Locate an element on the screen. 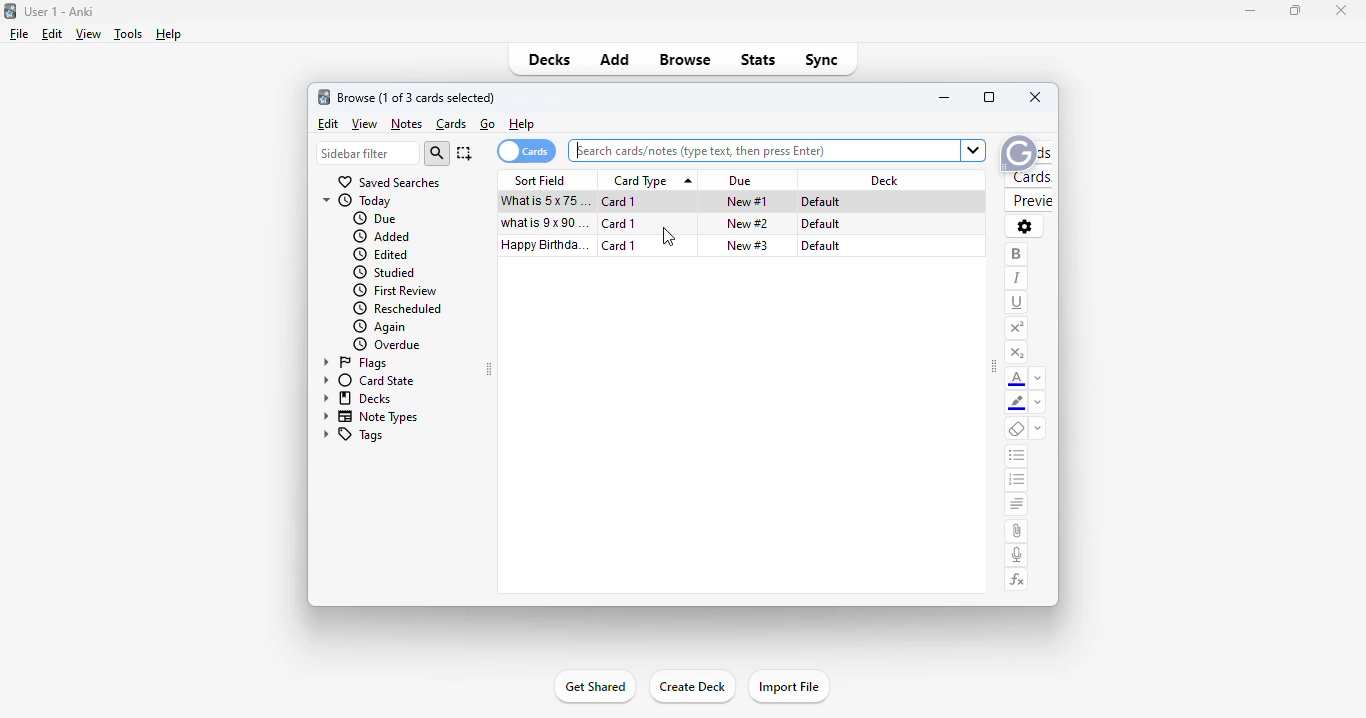 The width and height of the screenshot is (1366, 718). card 1 is located at coordinates (621, 202).